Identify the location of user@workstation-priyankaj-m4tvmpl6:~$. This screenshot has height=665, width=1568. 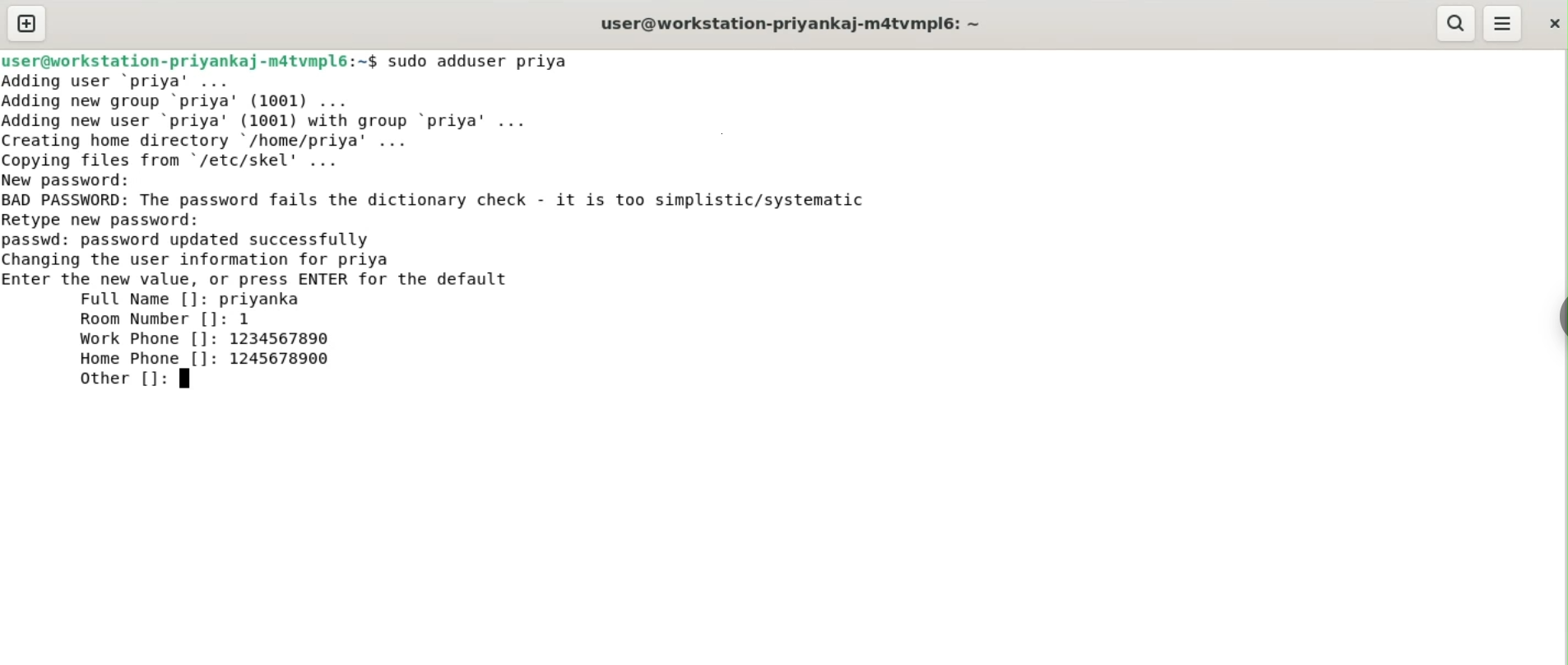
(189, 58).